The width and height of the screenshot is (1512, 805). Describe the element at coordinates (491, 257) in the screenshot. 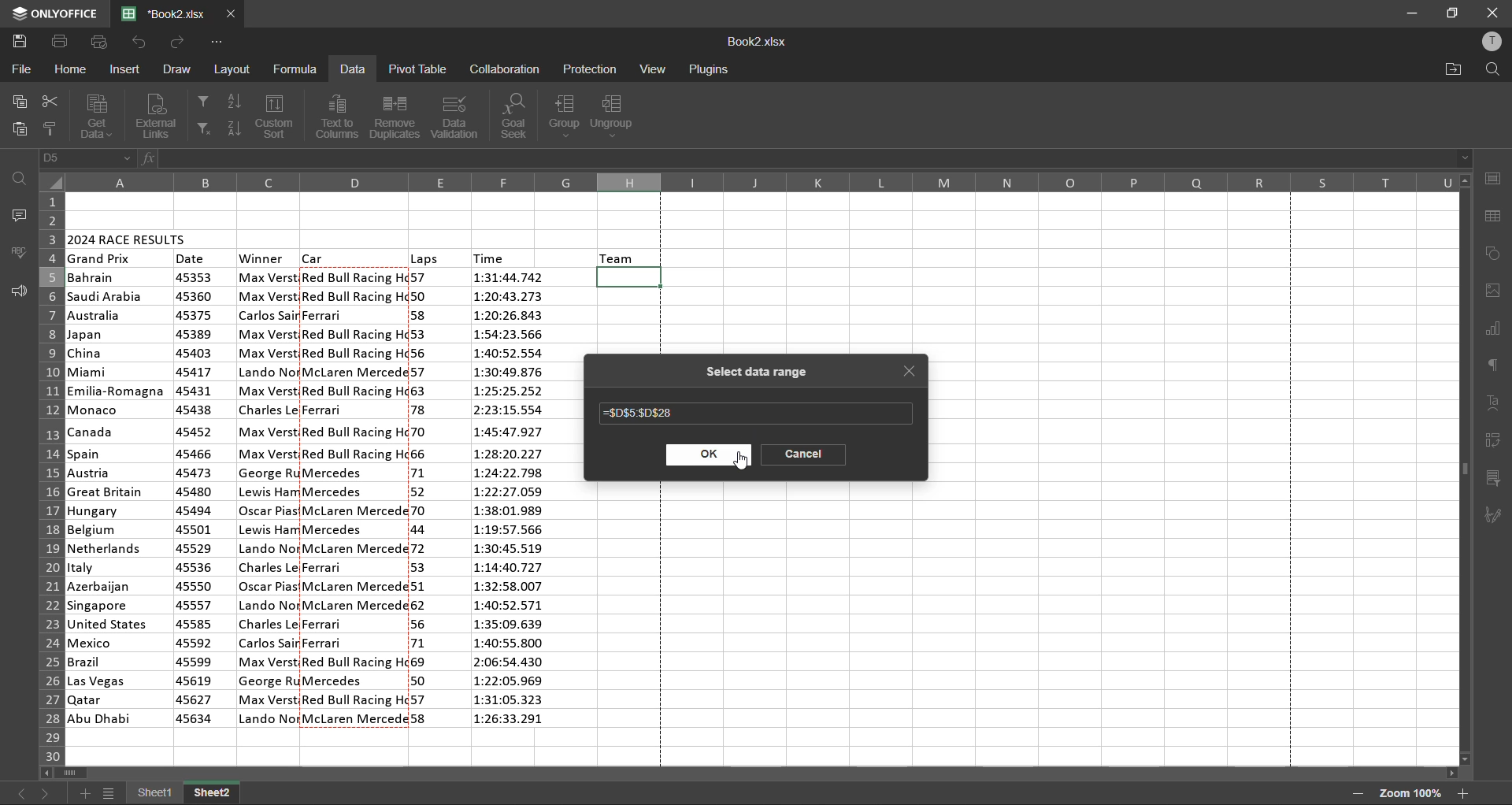

I see `time` at that location.